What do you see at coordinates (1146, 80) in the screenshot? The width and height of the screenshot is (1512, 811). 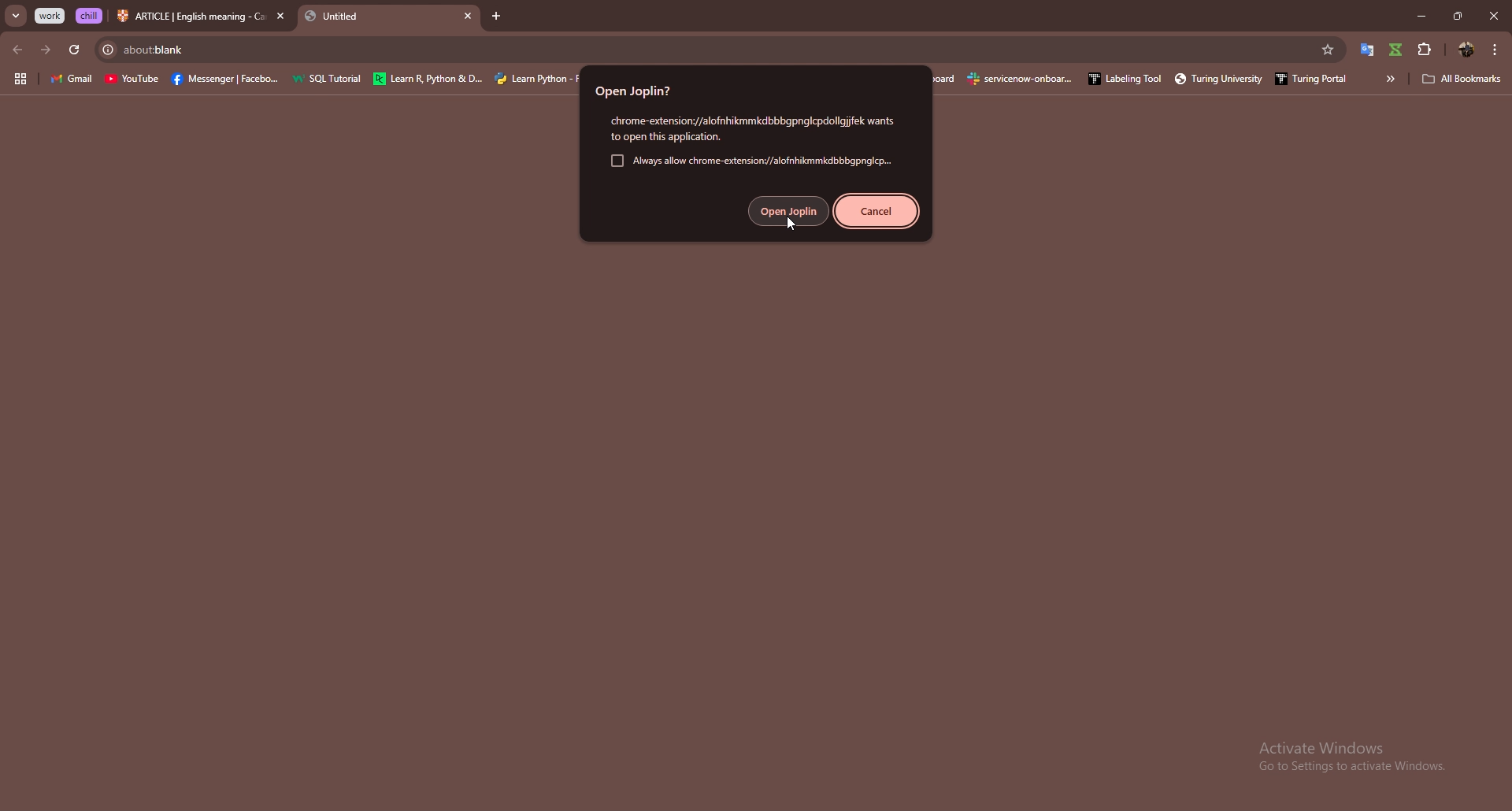 I see `bookmarks bar` at bounding box center [1146, 80].